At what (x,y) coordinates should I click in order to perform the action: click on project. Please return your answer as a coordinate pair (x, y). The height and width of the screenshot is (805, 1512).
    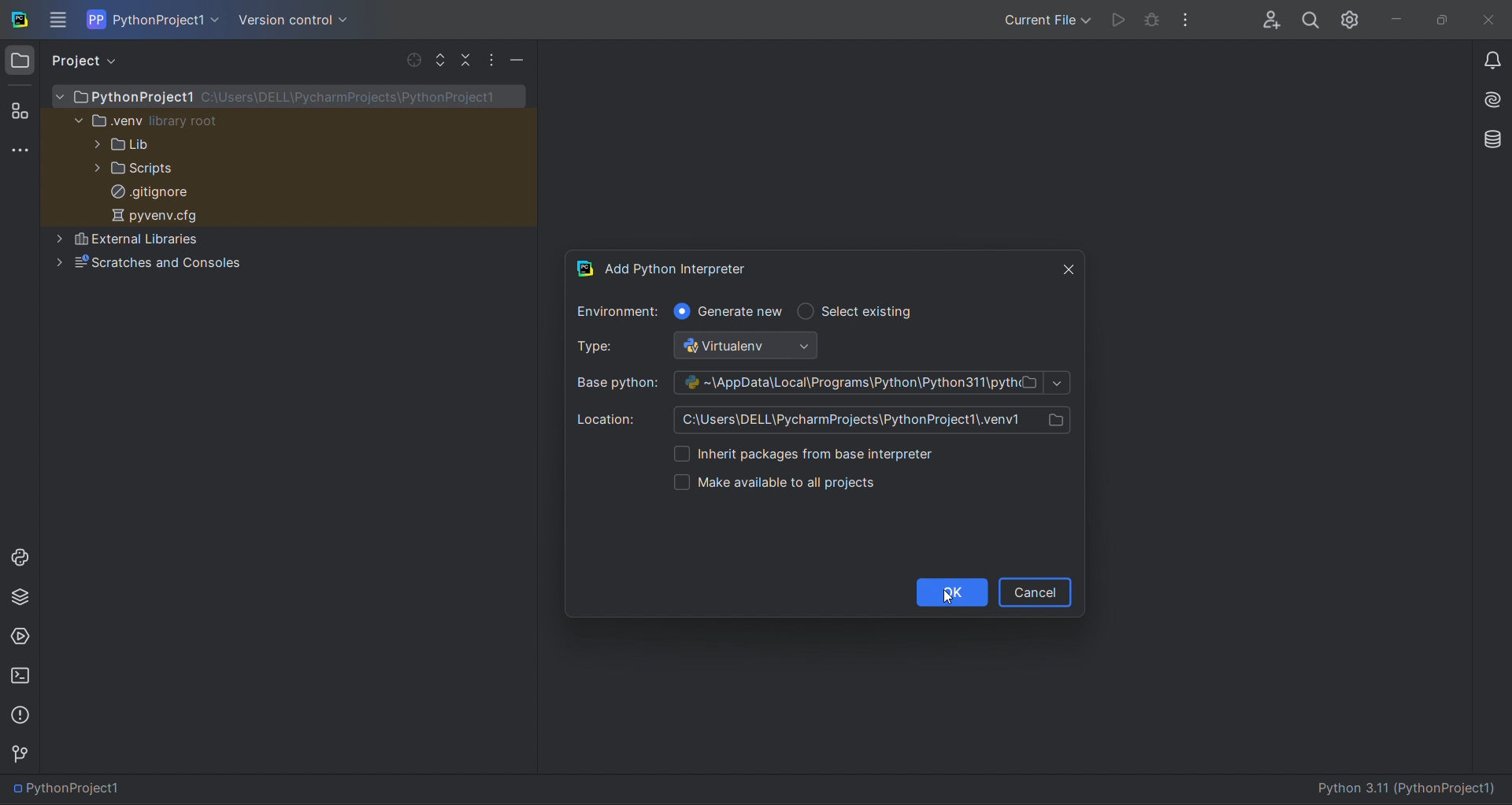
    Looking at the image, I should click on (89, 61).